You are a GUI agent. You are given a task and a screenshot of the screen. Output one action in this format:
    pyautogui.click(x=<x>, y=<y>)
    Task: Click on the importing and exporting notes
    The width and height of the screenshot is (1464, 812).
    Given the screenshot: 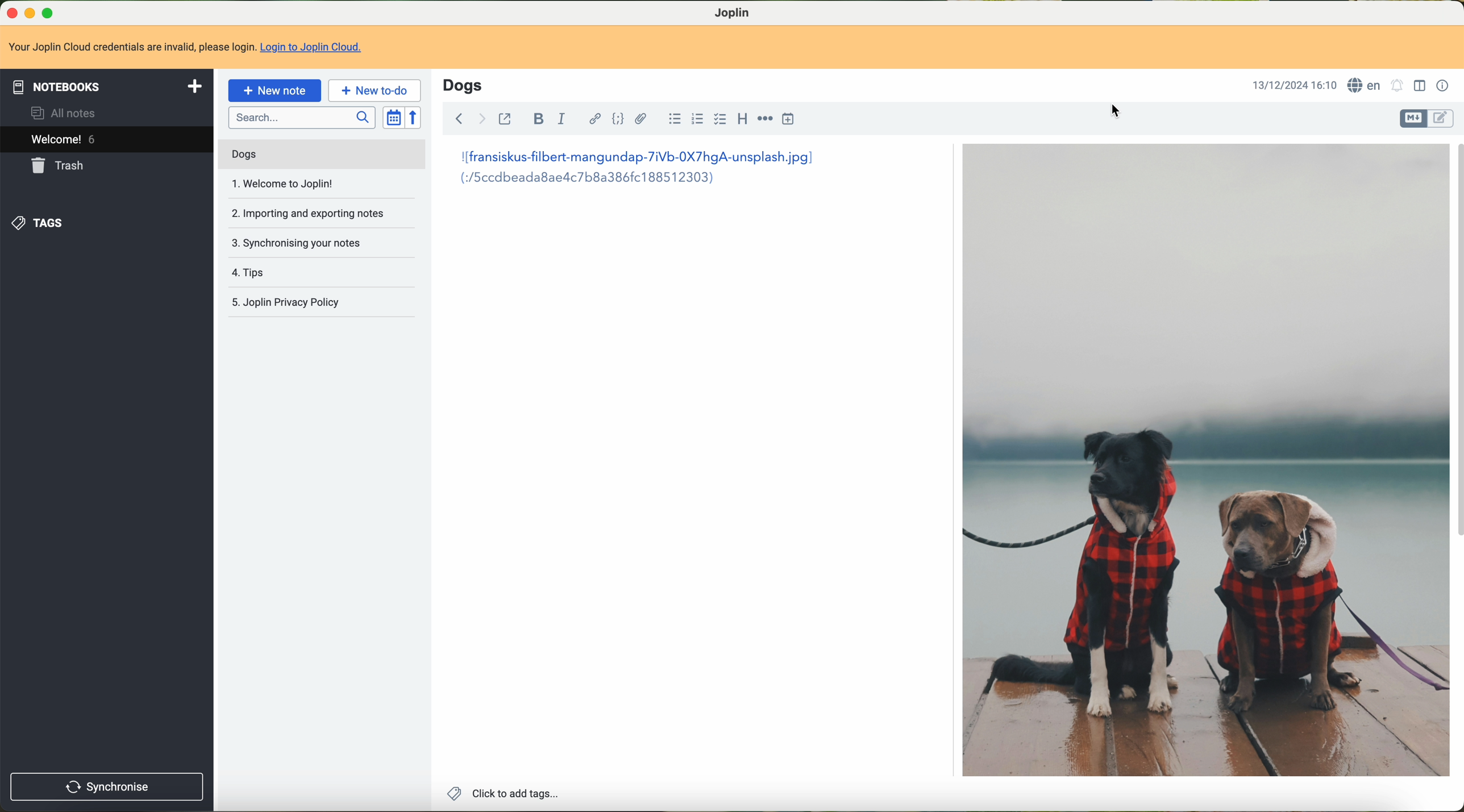 What is the action you would take?
    pyautogui.click(x=313, y=212)
    